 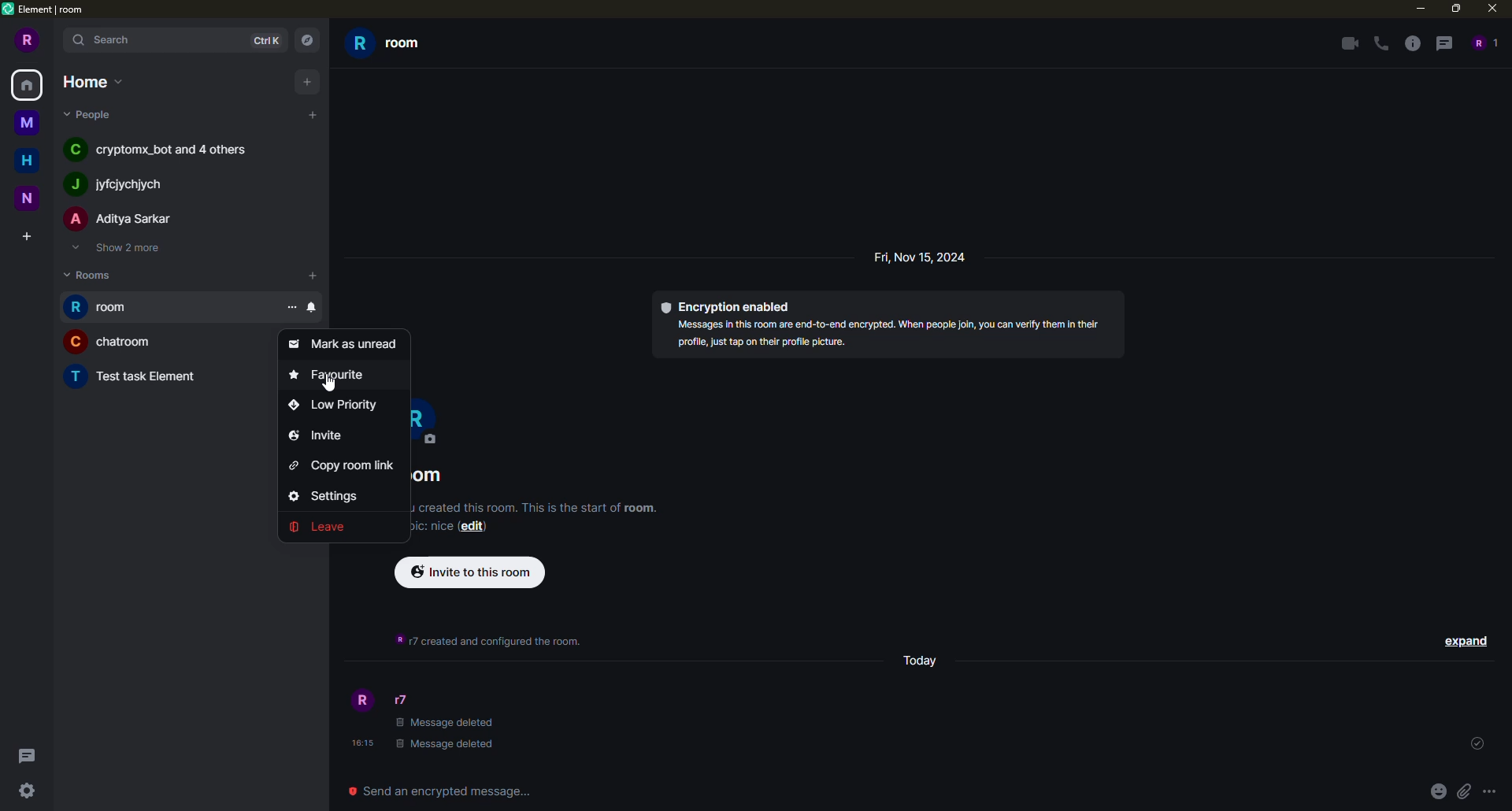 I want to click on T Test task Element, so click(x=125, y=376).